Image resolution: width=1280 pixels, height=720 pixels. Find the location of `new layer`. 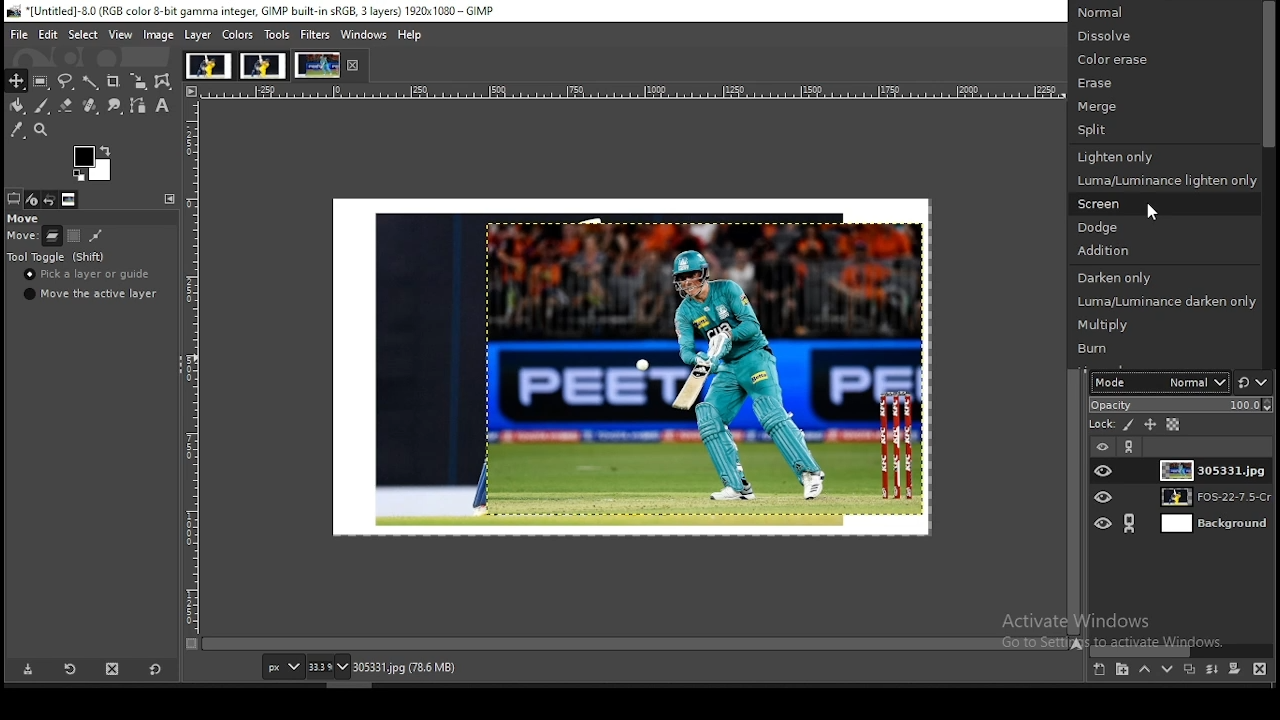

new layer is located at coordinates (1101, 669).